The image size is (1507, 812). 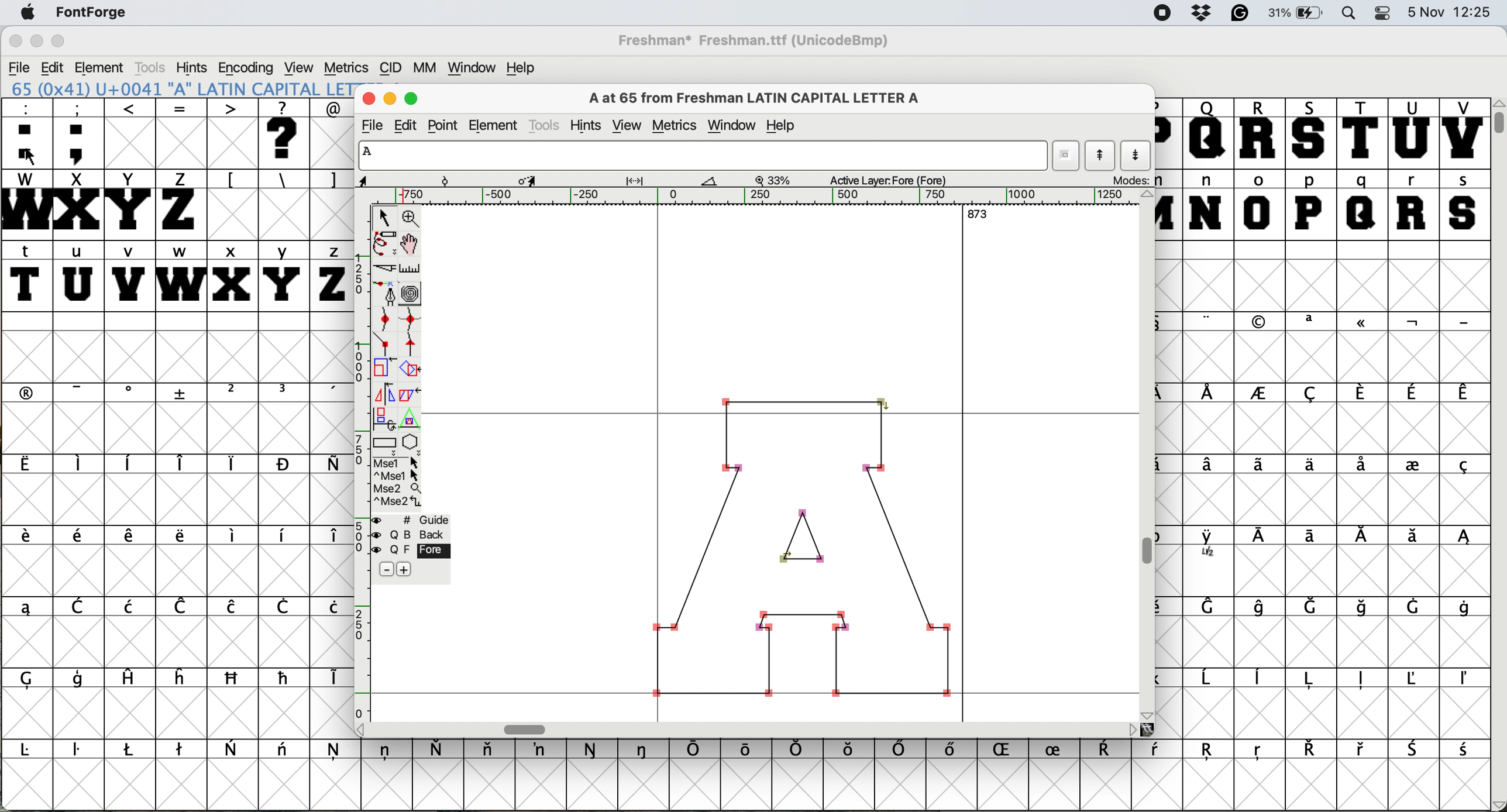 What do you see at coordinates (1416, 749) in the screenshot?
I see `symbol` at bounding box center [1416, 749].